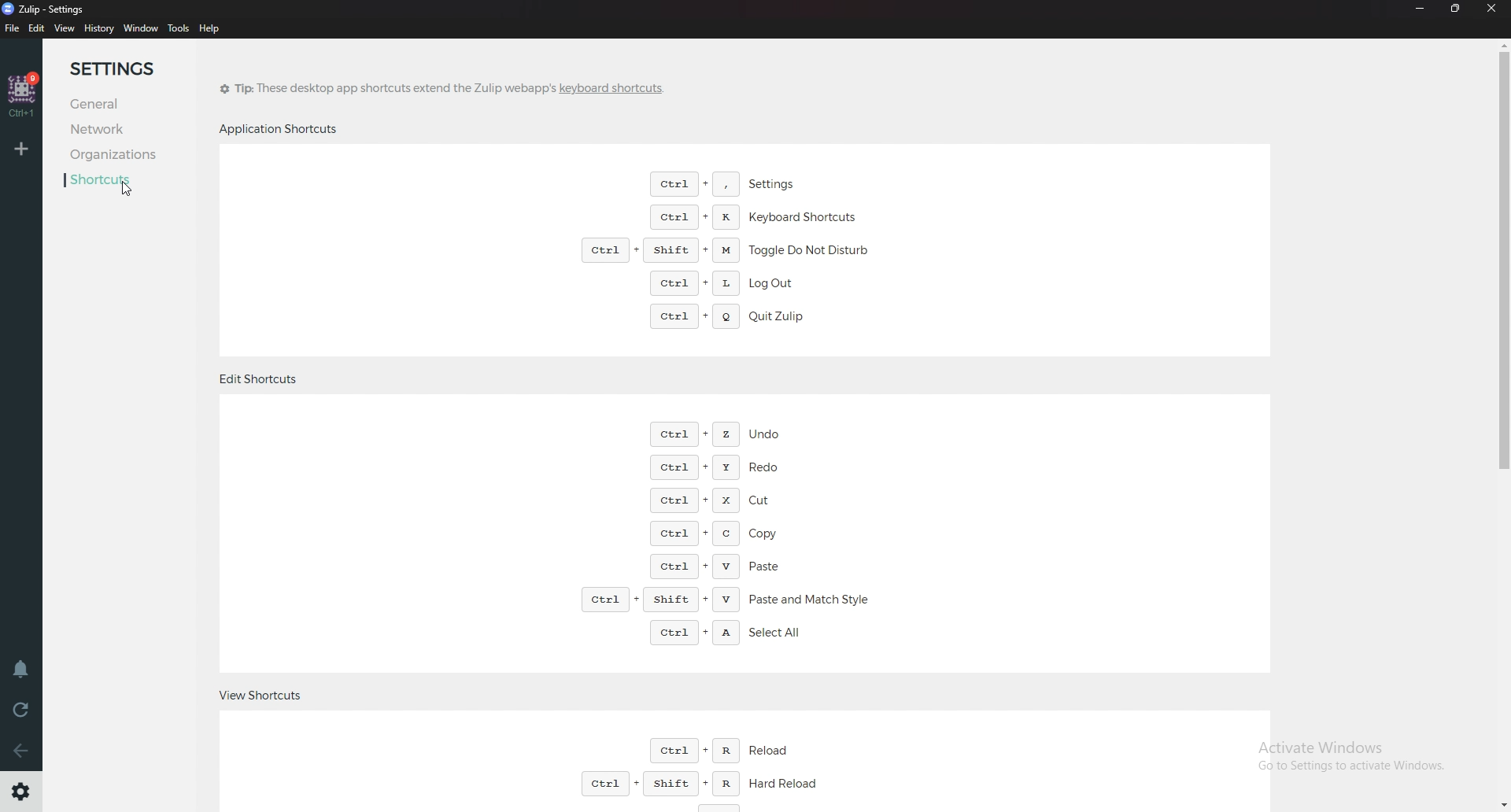  What do you see at coordinates (37, 28) in the screenshot?
I see `Edit` at bounding box center [37, 28].